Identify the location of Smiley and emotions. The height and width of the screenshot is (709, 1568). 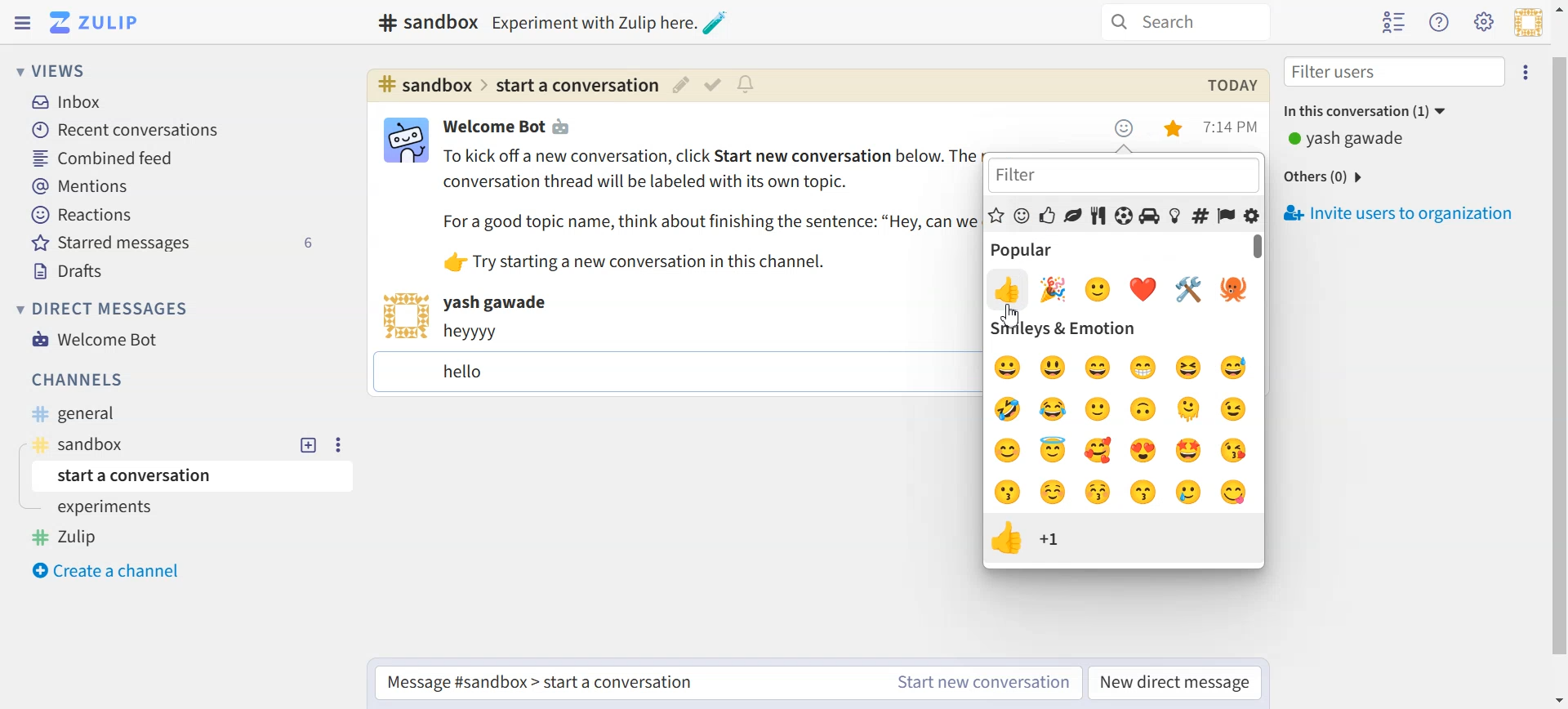
(1022, 216).